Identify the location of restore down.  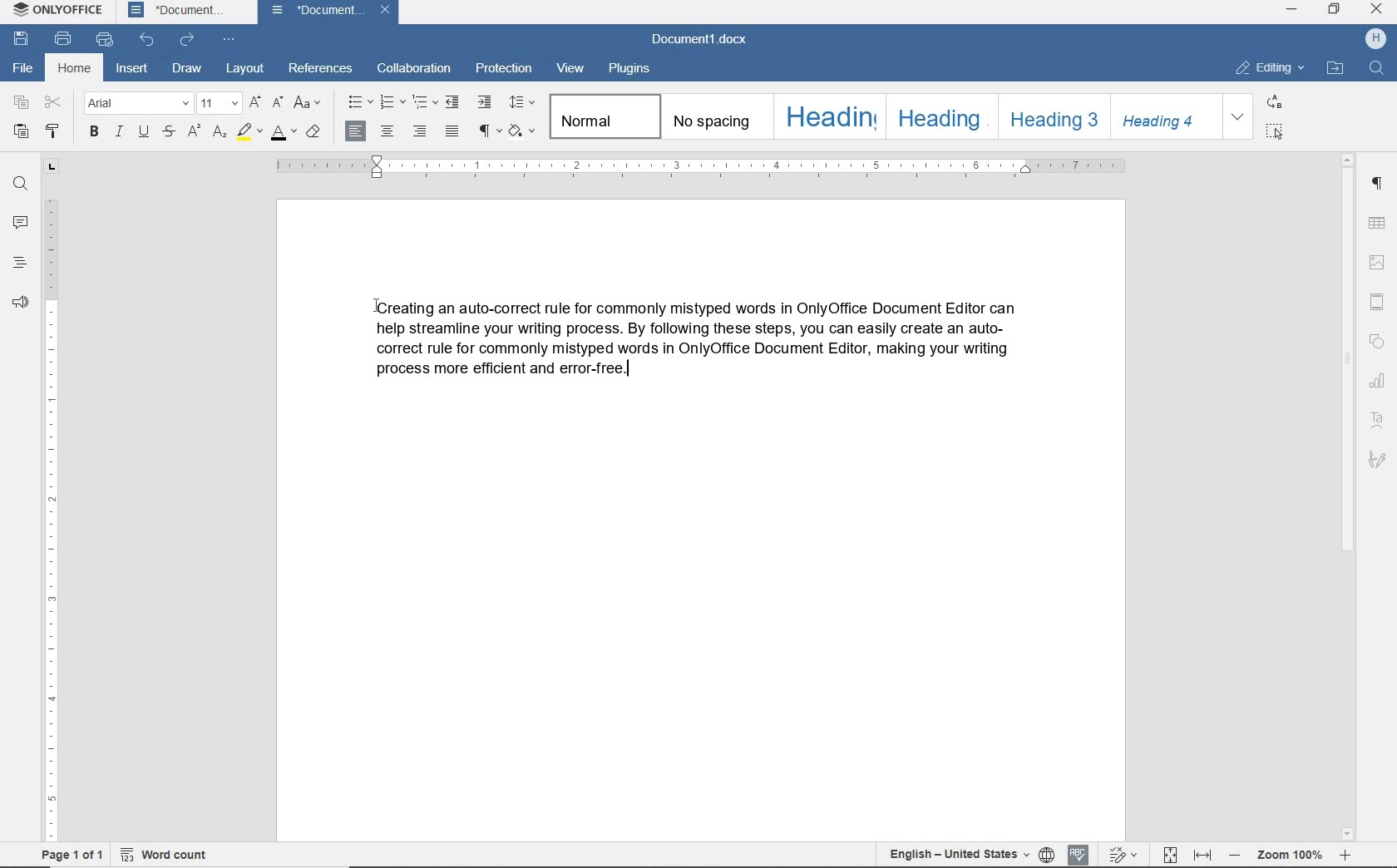
(1335, 11).